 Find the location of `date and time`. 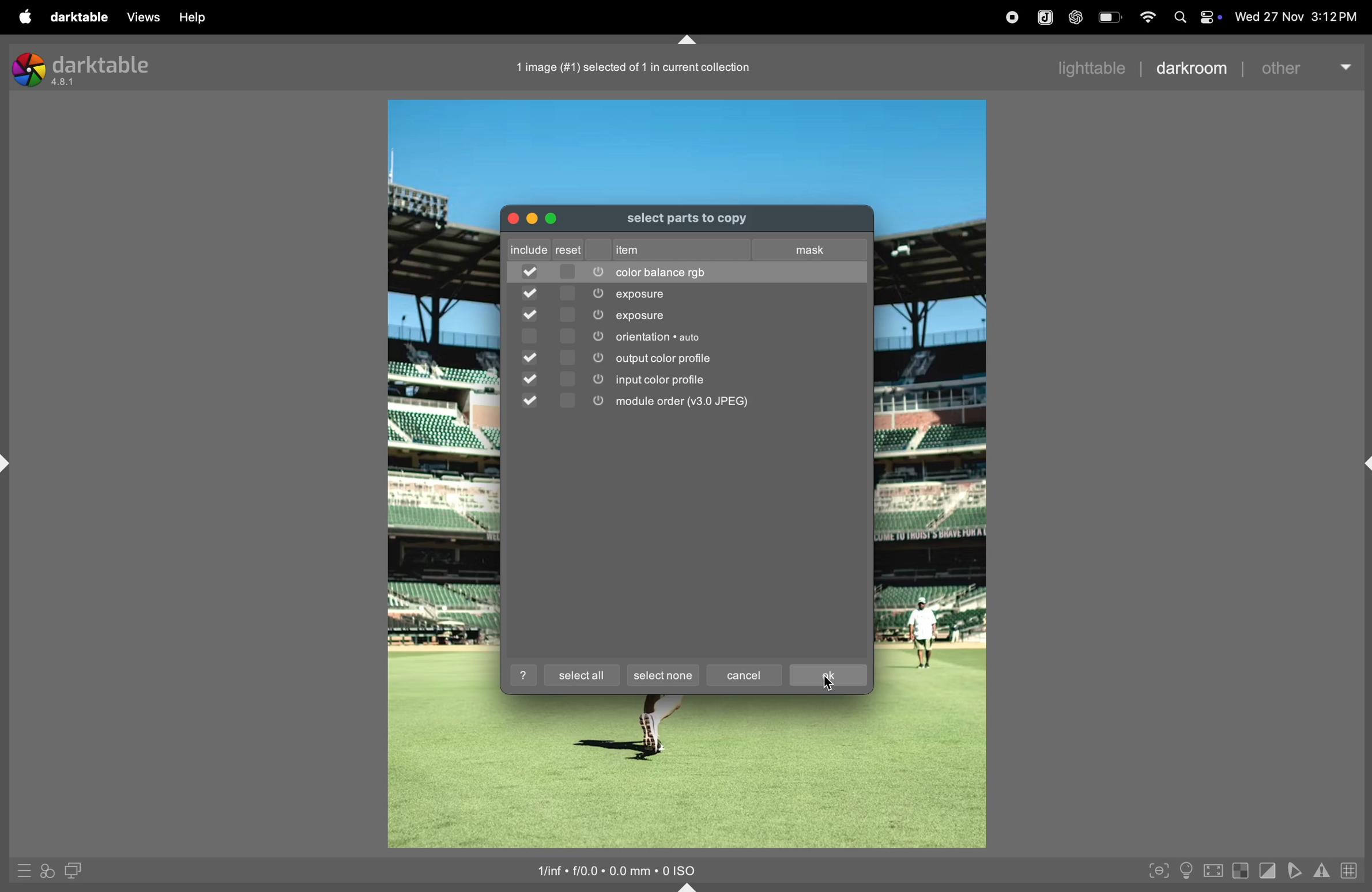

date and time is located at coordinates (1295, 17).